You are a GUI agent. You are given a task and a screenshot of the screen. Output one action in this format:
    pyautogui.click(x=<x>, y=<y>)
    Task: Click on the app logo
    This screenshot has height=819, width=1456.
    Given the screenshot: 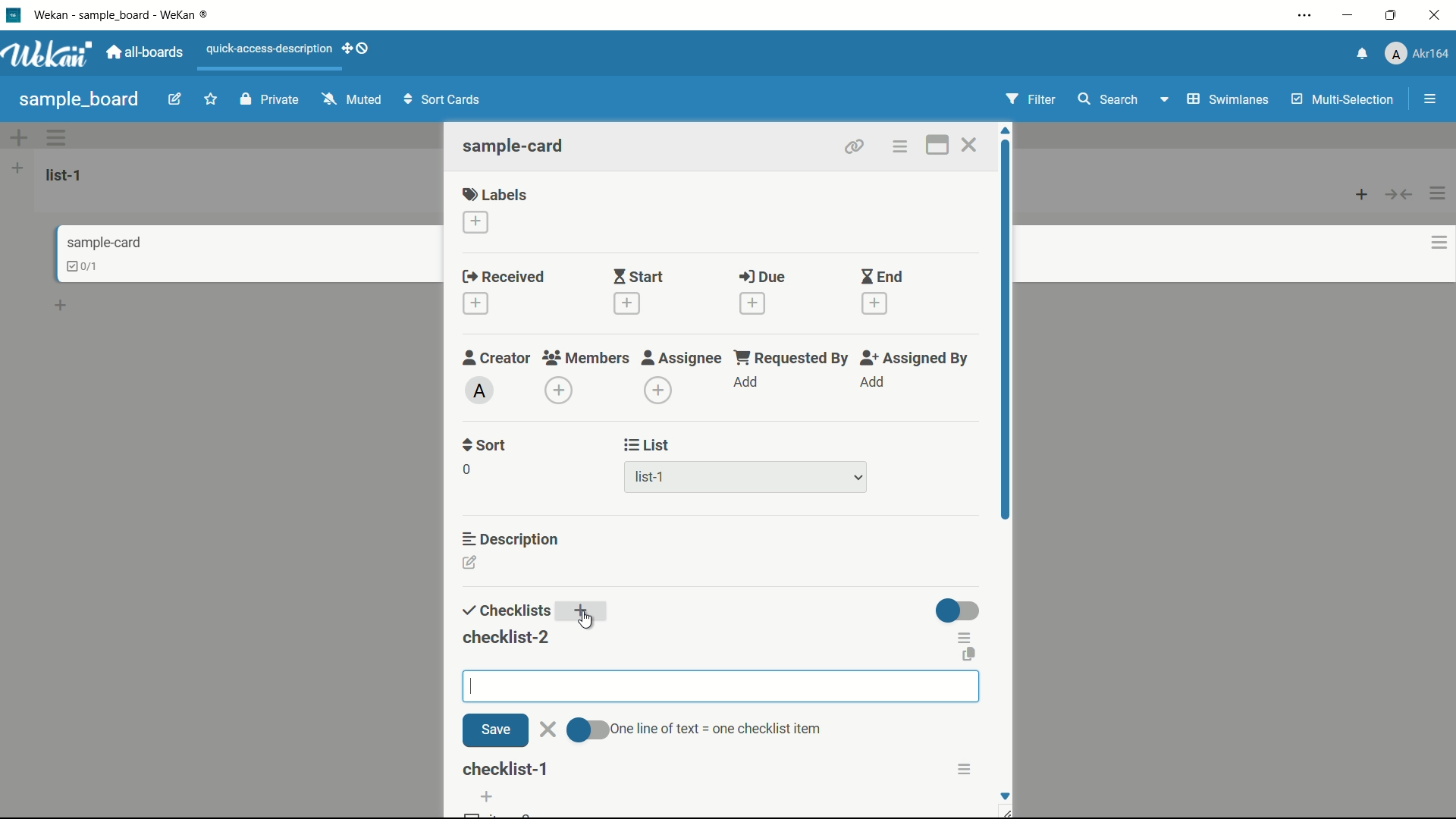 What is the action you would take?
    pyautogui.click(x=47, y=54)
    